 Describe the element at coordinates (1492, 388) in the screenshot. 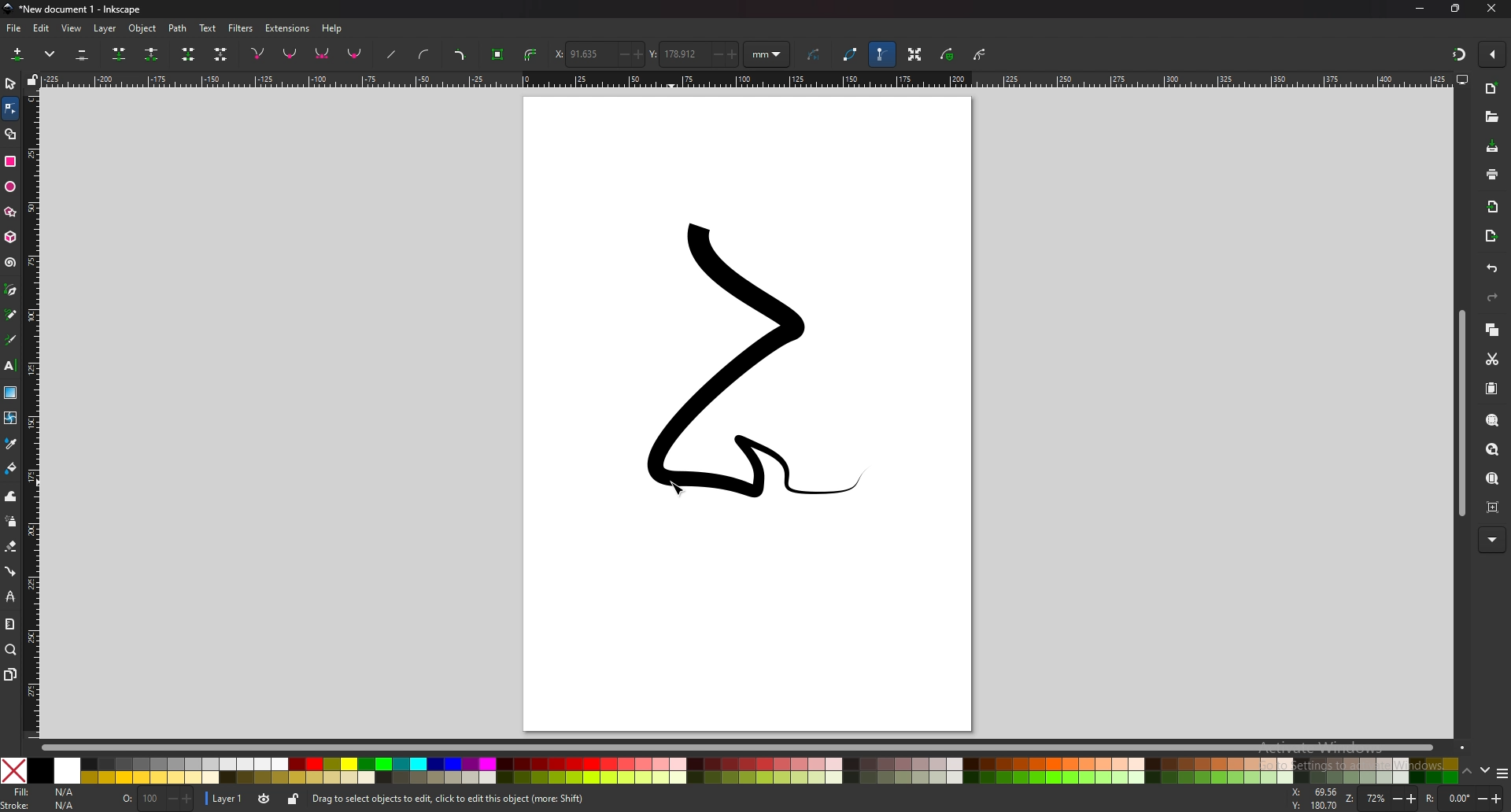

I see `paste` at that location.